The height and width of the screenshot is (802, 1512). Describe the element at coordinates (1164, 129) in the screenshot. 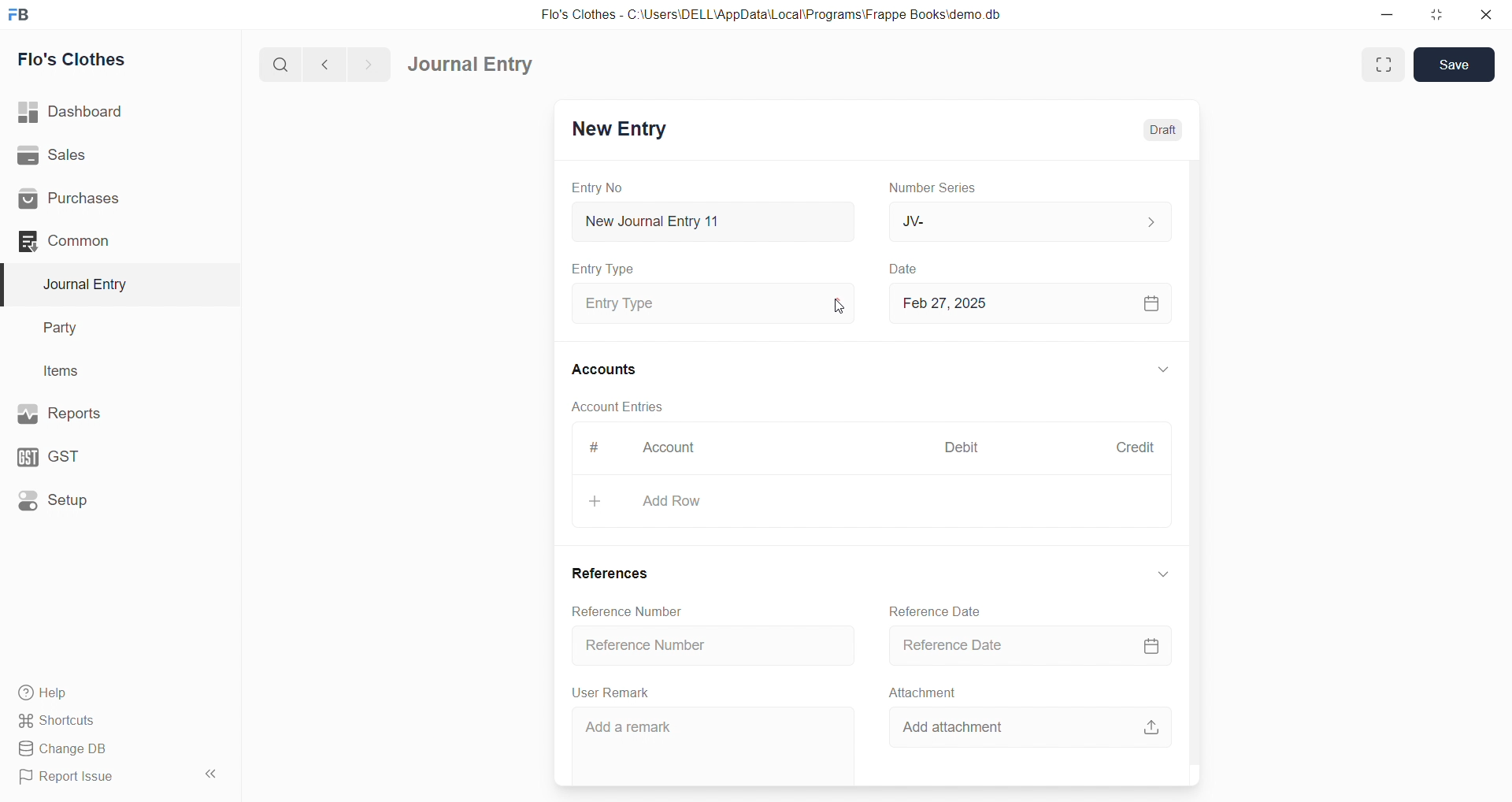

I see `Draft` at that location.